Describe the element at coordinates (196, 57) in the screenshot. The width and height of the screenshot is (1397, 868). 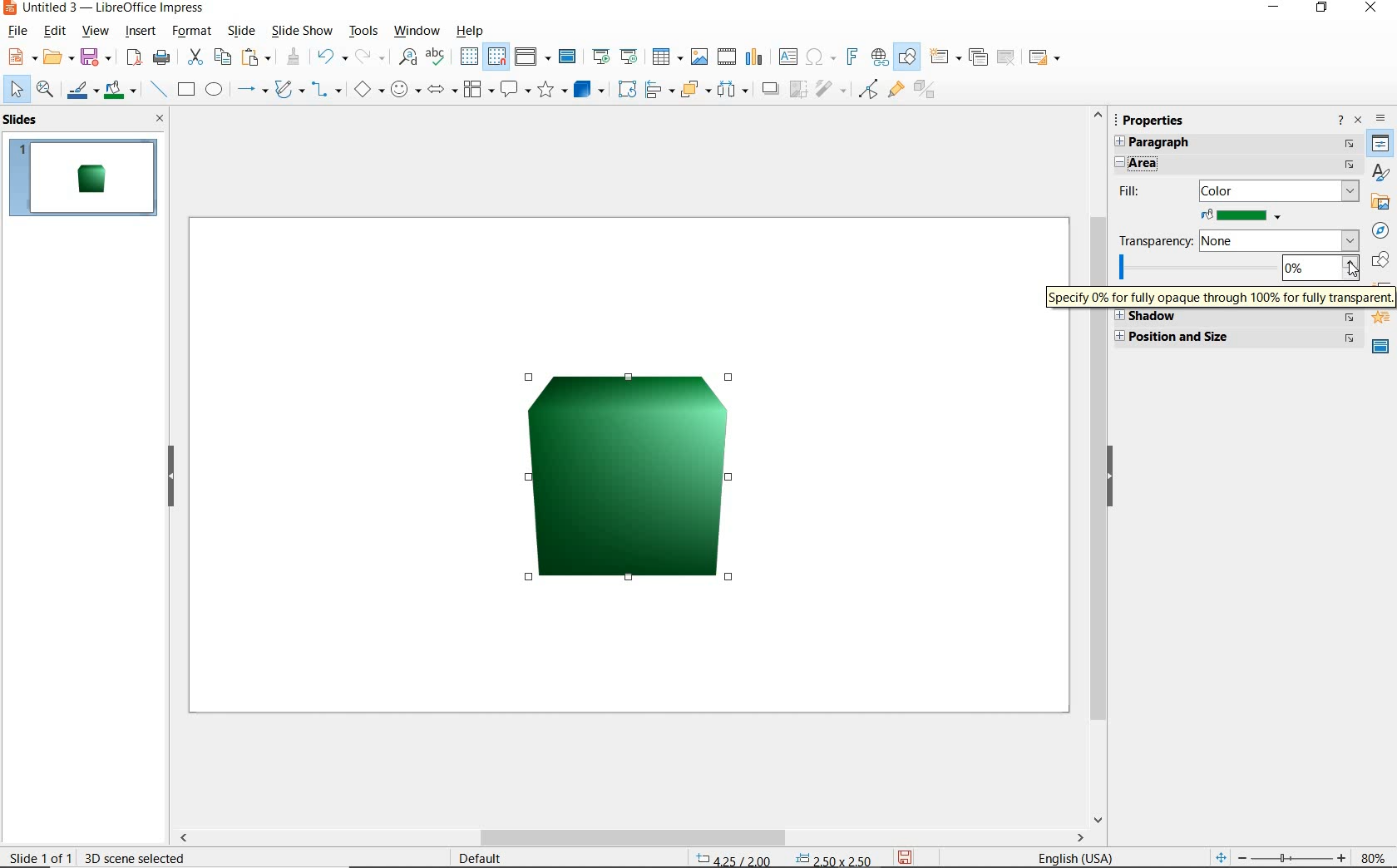
I see `cut` at that location.